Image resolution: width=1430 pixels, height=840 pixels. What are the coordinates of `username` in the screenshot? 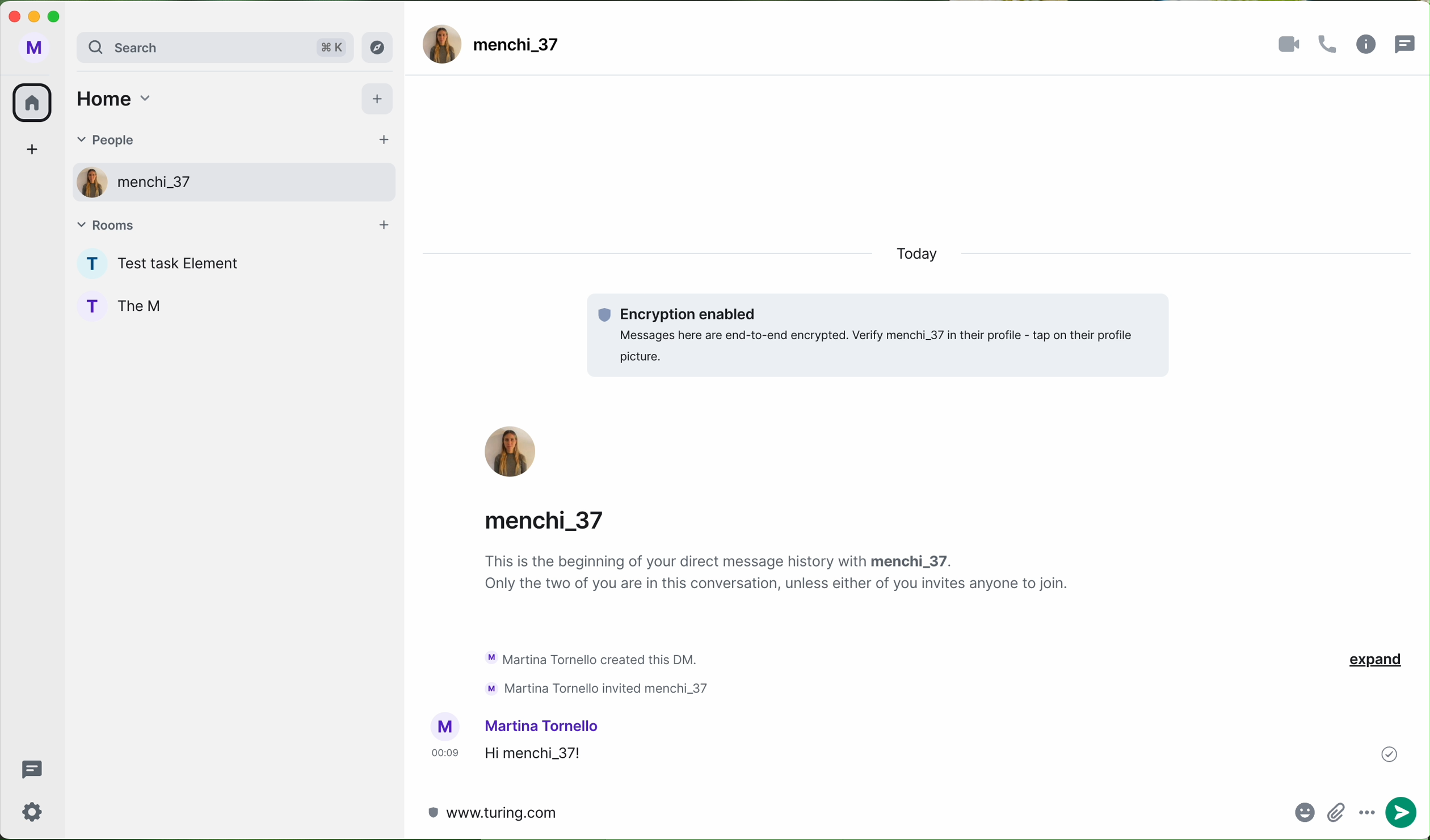 It's located at (544, 725).